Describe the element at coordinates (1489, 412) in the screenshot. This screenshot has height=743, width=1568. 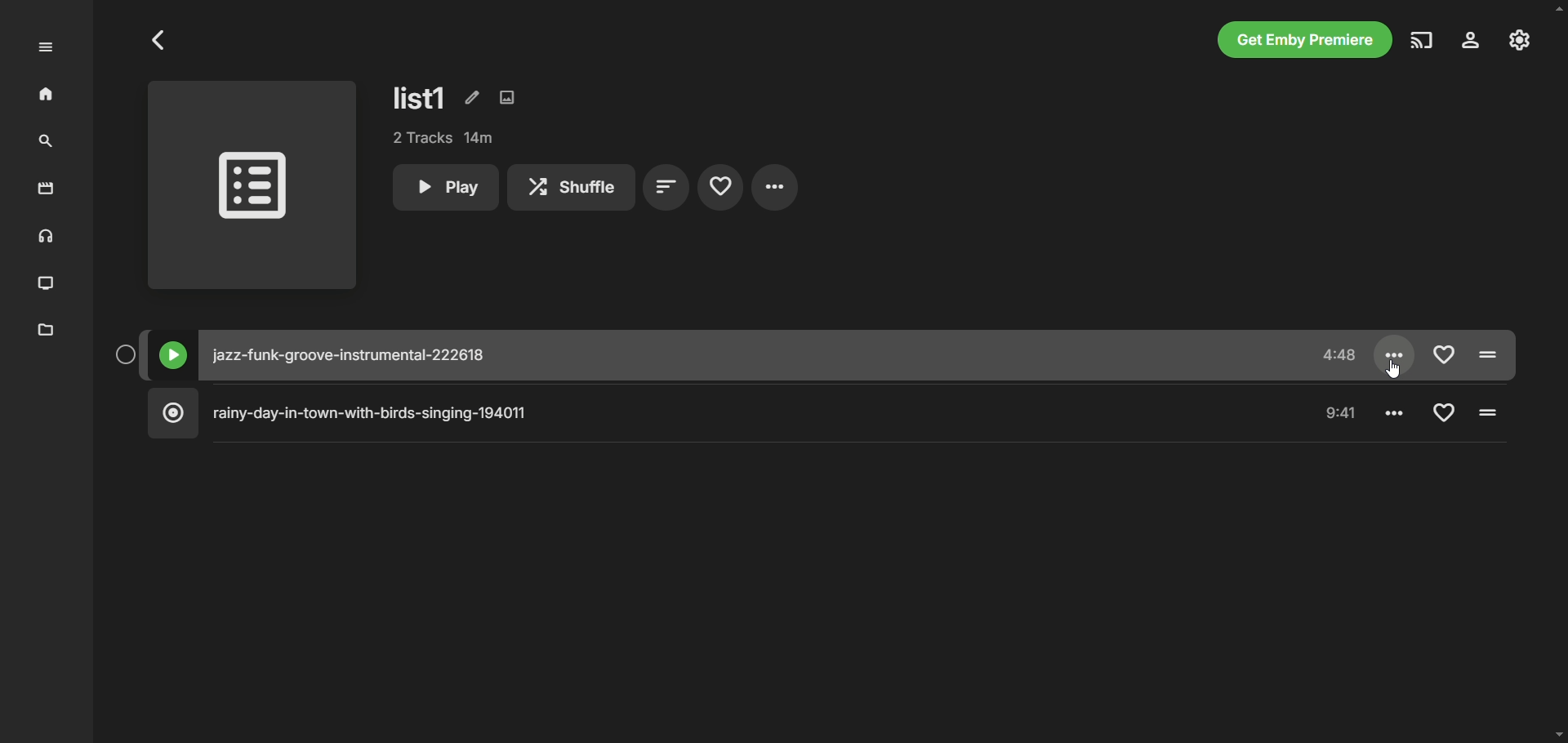
I see `Pause/Play` at that location.